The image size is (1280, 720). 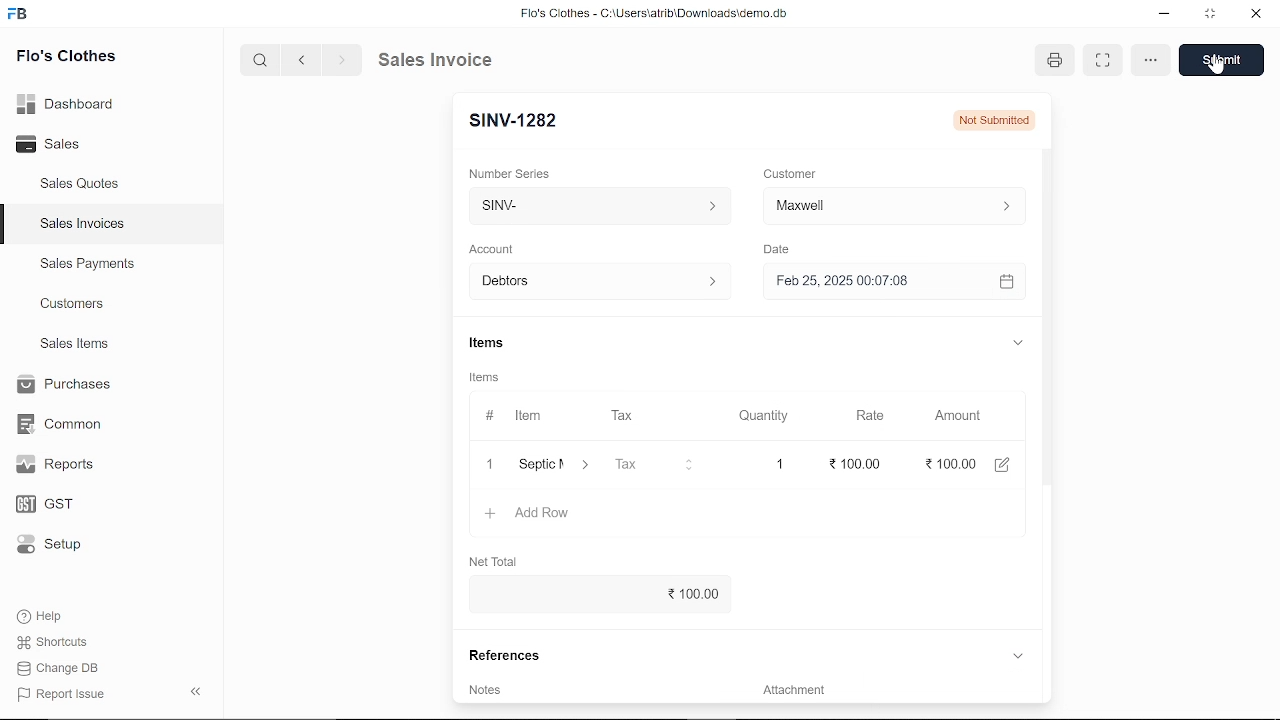 I want to click on close, so click(x=1254, y=12).